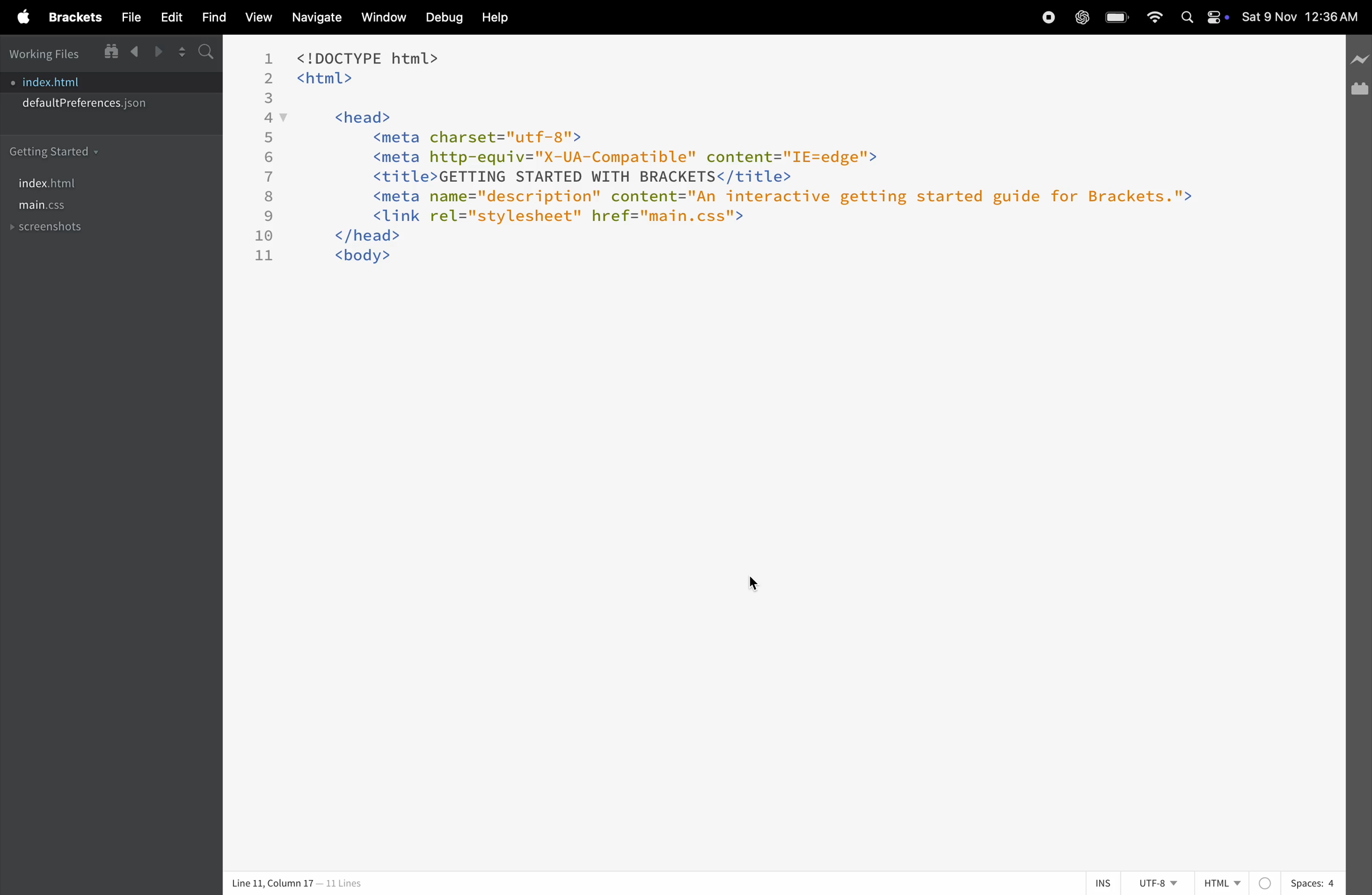 The image size is (1372, 895). Describe the element at coordinates (59, 208) in the screenshot. I see `main.css` at that location.